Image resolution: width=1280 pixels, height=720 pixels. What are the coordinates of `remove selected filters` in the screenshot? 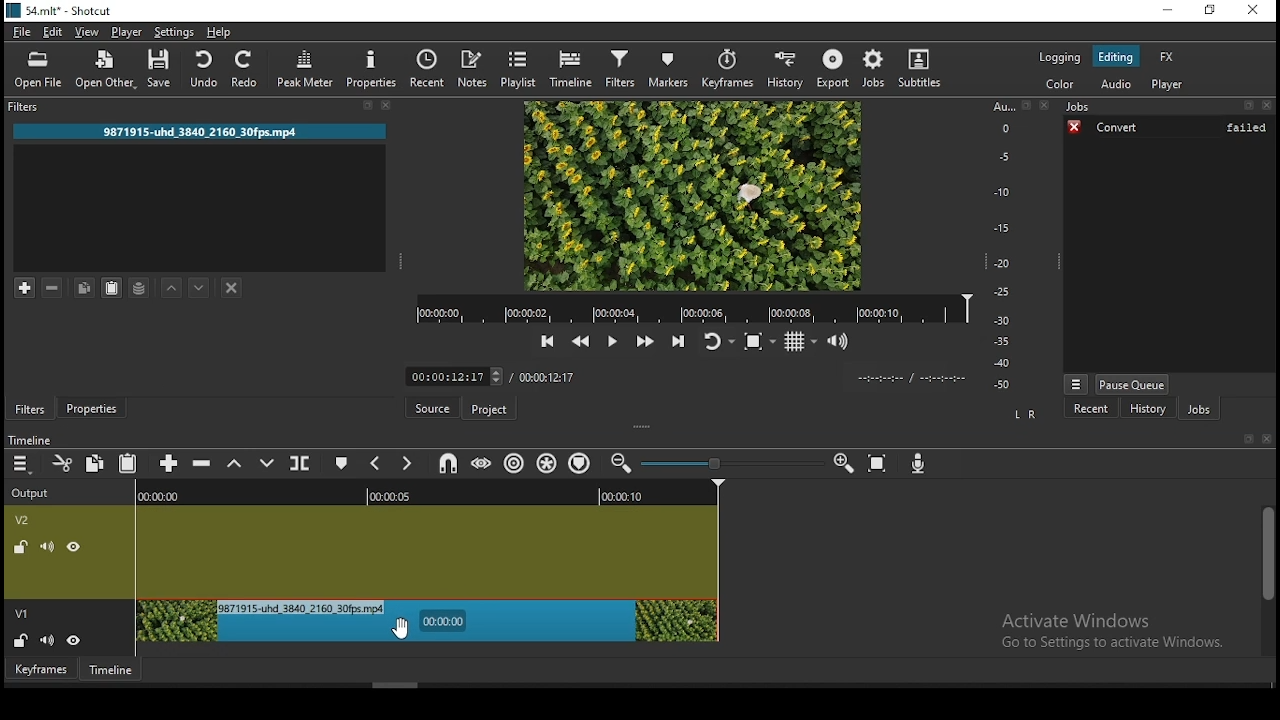 It's located at (55, 286).